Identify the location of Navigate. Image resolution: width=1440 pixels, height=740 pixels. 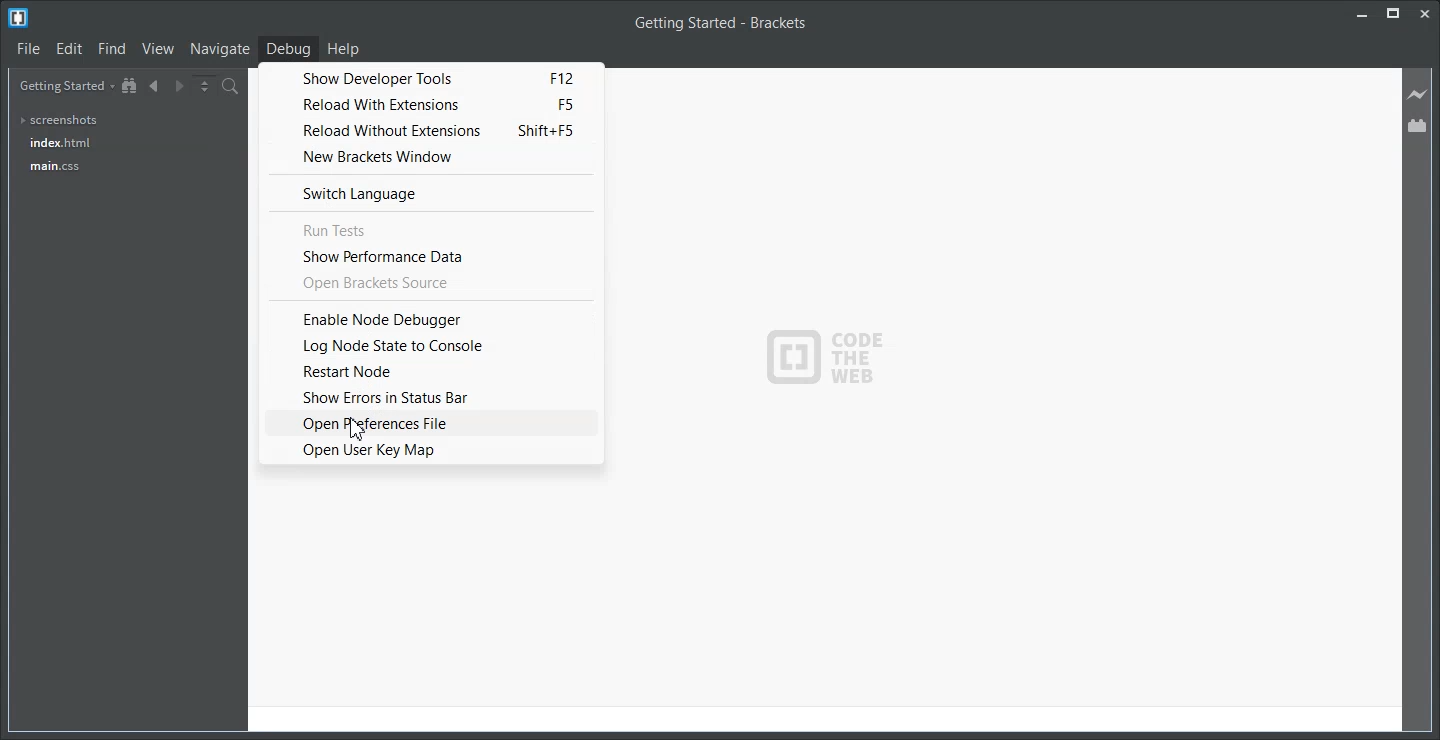
(221, 49).